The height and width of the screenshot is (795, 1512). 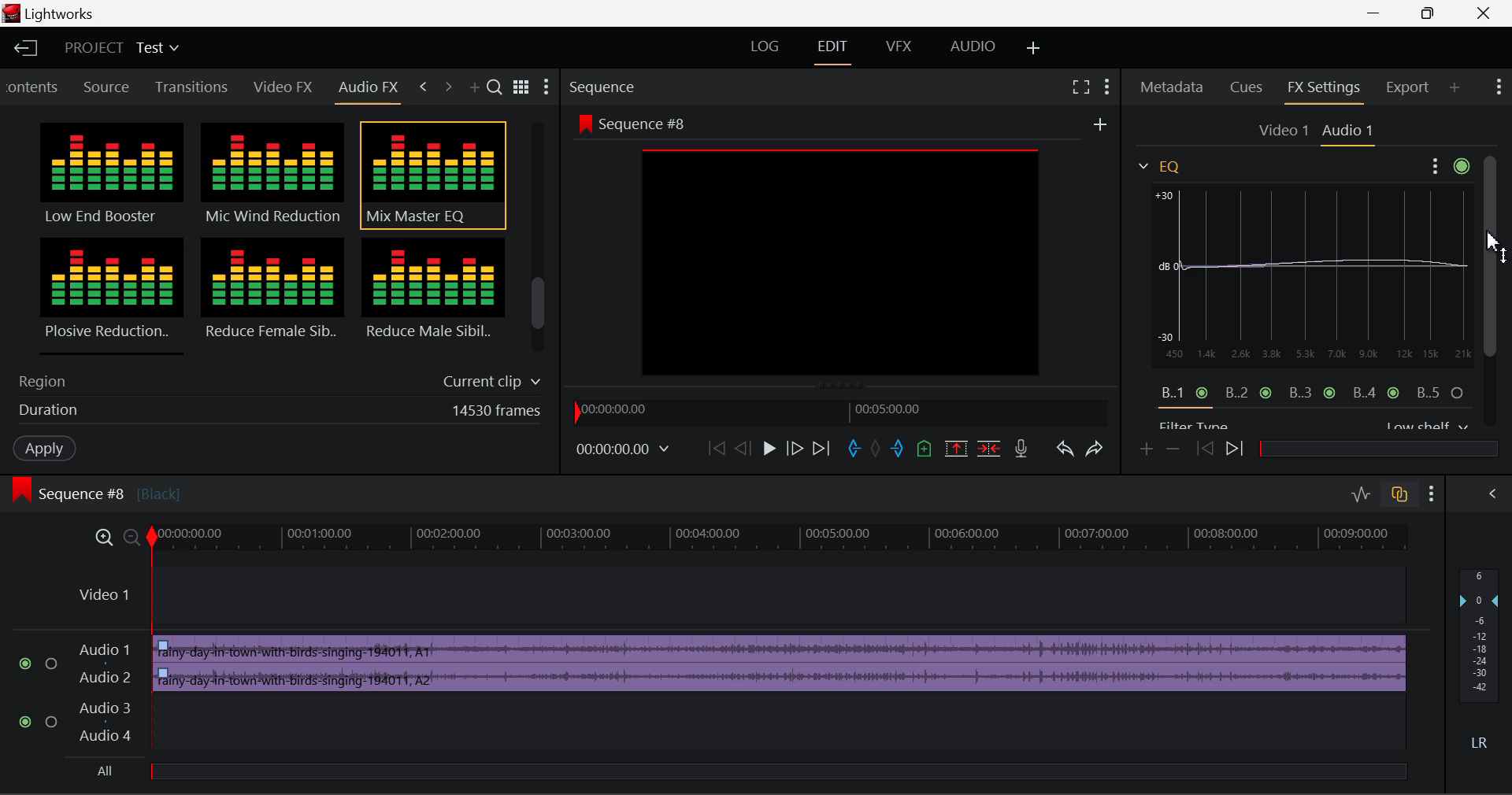 What do you see at coordinates (1099, 453) in the screenshot?
I see `Redo` at bounding box center [1099, 453].